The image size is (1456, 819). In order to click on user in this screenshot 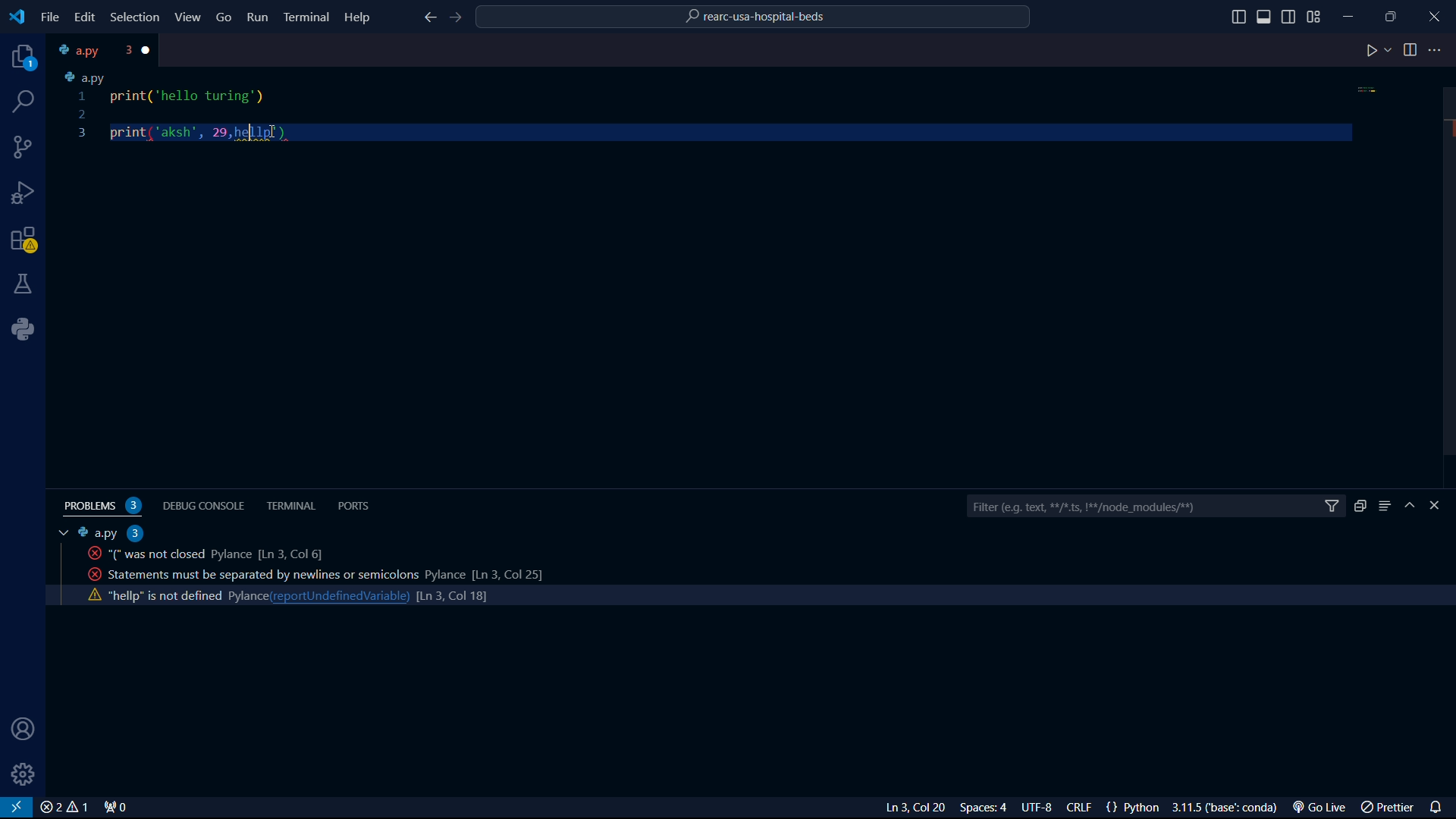, I will do `click(19, 730)`.